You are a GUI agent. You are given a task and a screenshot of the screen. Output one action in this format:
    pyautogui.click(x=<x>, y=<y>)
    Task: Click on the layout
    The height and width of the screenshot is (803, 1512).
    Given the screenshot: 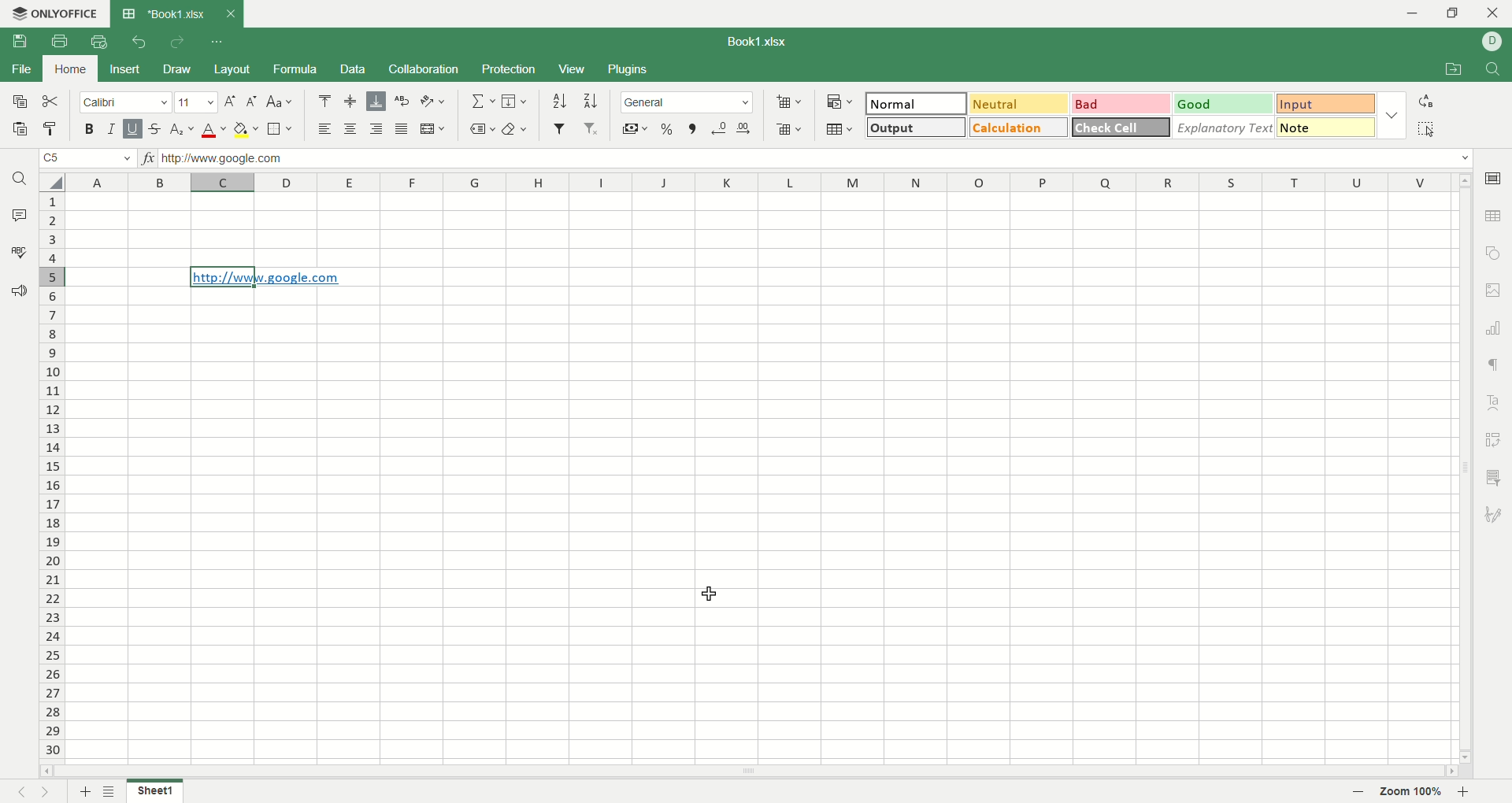 What is the action you would take?
    pyautogui.click(x=233, y=68)
    